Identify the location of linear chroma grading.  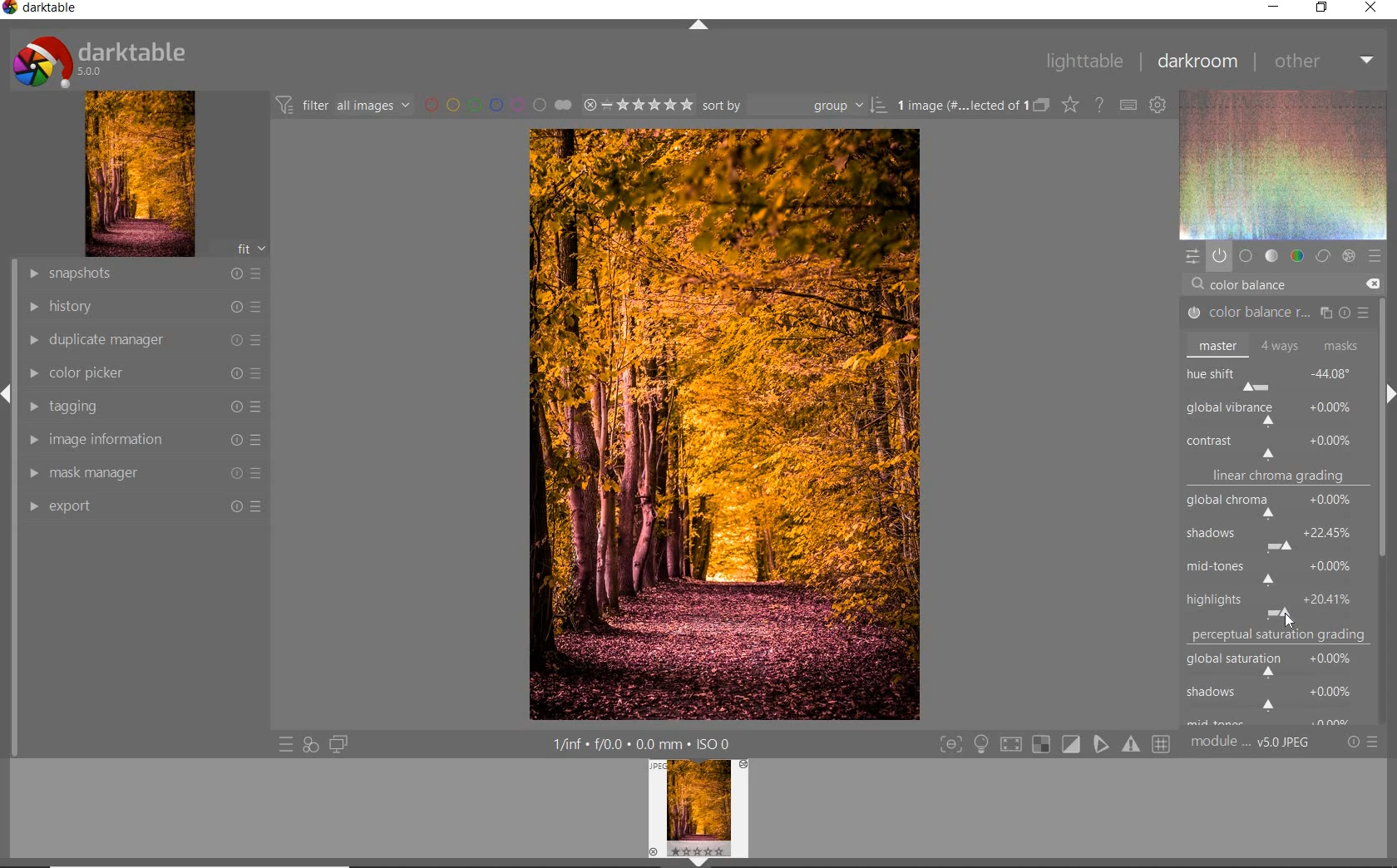
(1277, 479).